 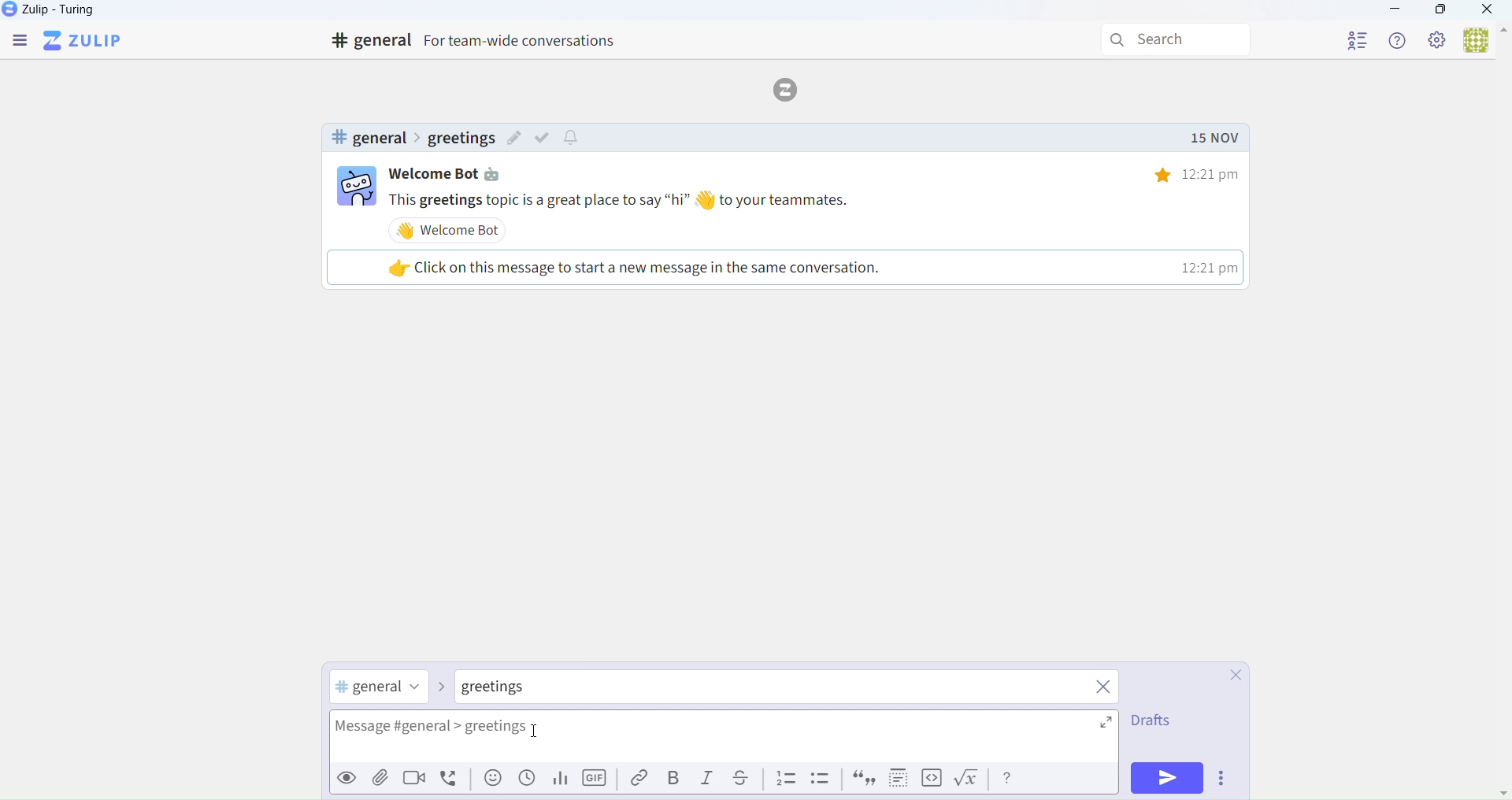 I want to click on time, so click(x=1185, y=174).